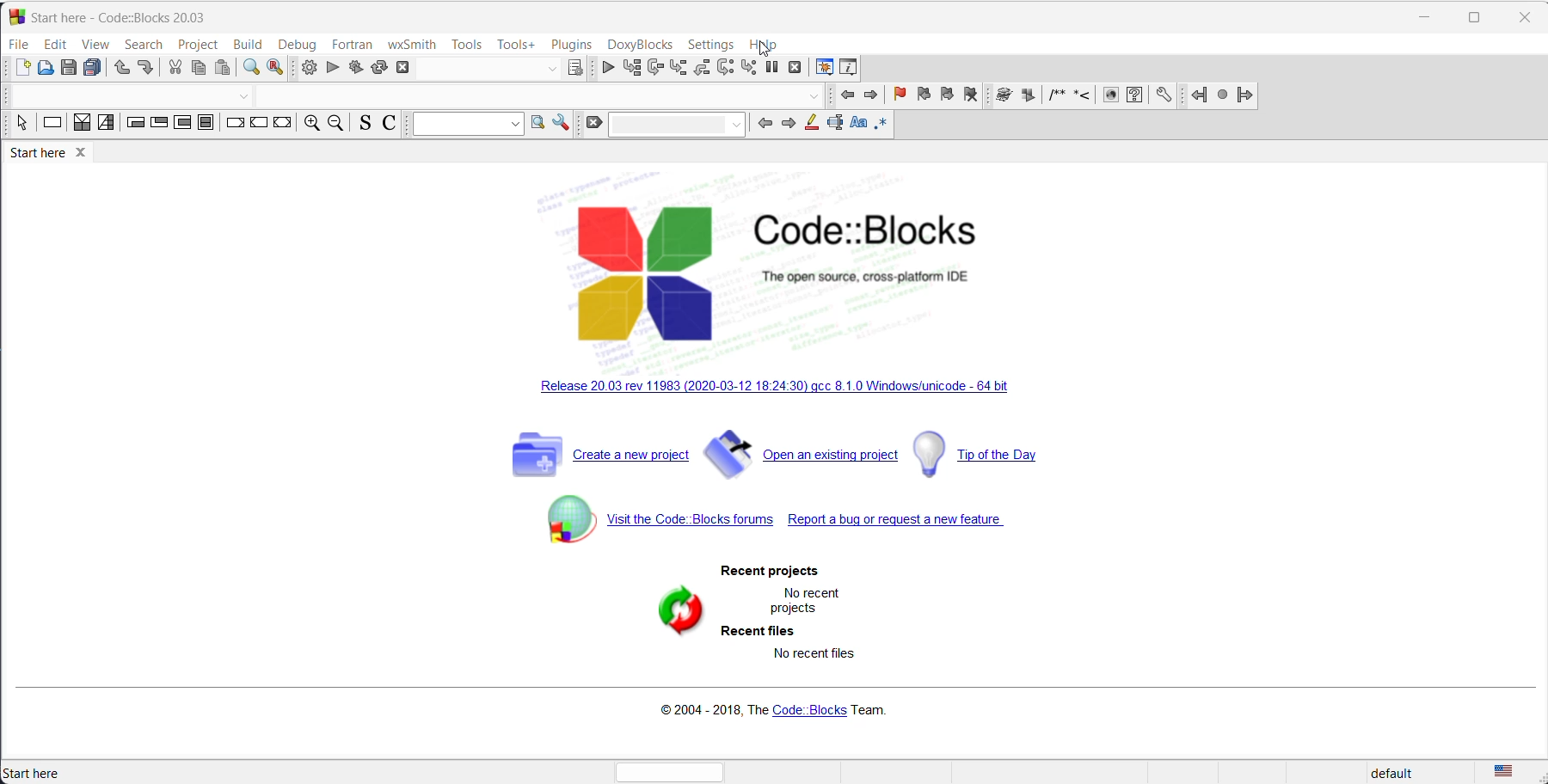 This screenshot has height=784, width=1548. Describe the element at coordinates (904, 525) in the screenshot. I see `report a bug` at that location.